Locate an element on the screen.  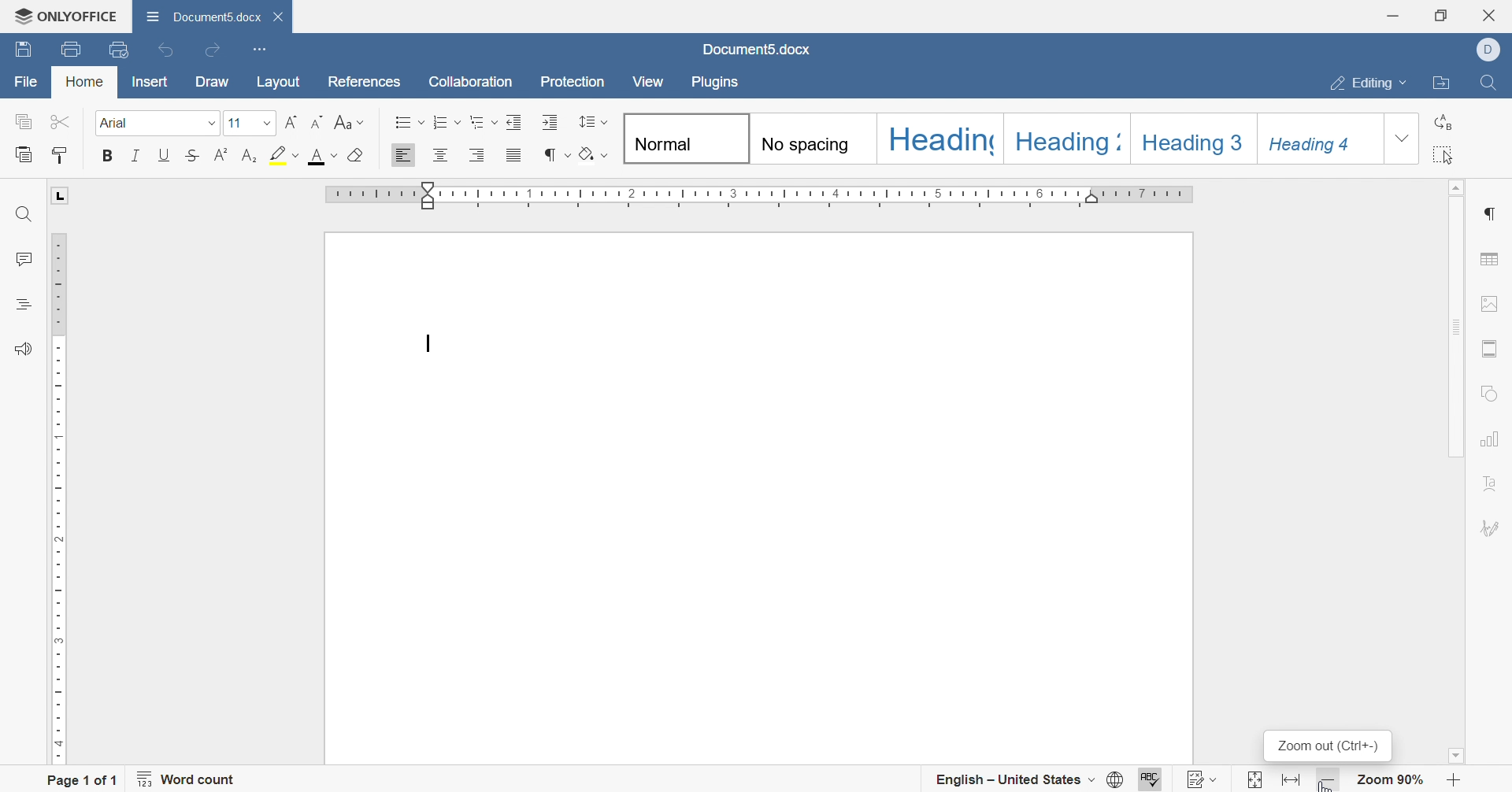
scroll down is located at coordinates (1454, 755).